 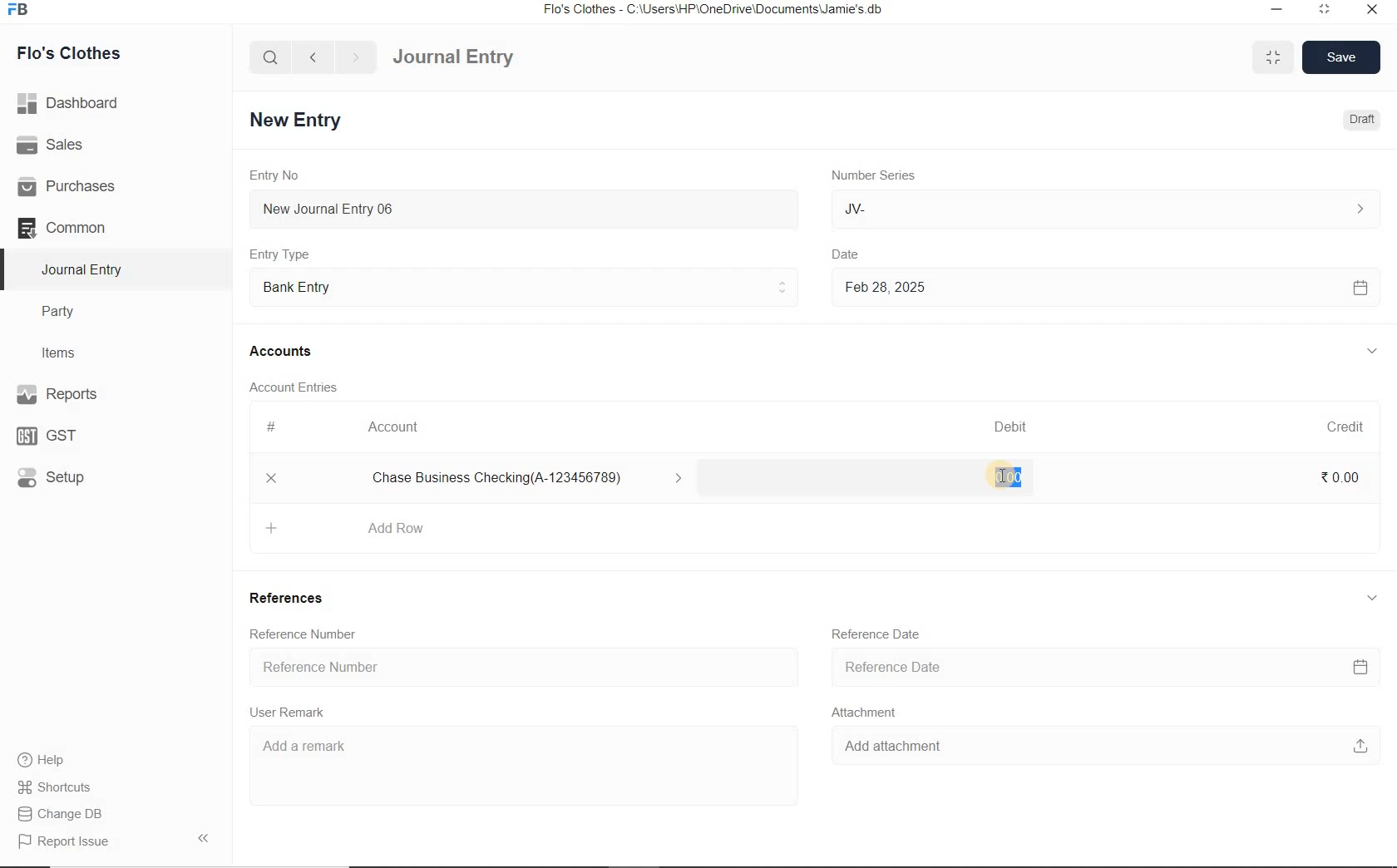 I want to click on delete, so click(x=272, y=480).